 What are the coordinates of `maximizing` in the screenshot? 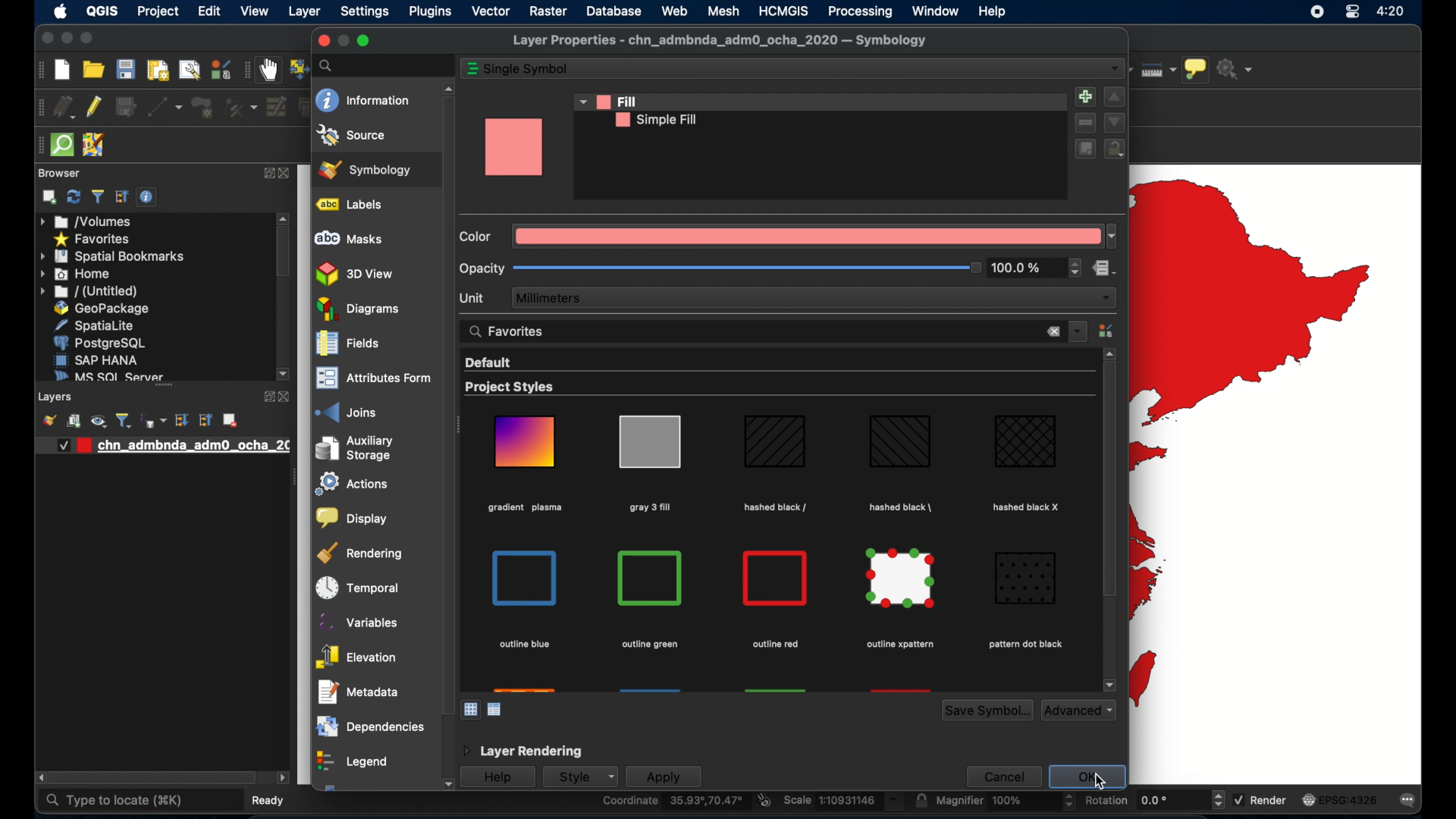 It's located at (88, 39).